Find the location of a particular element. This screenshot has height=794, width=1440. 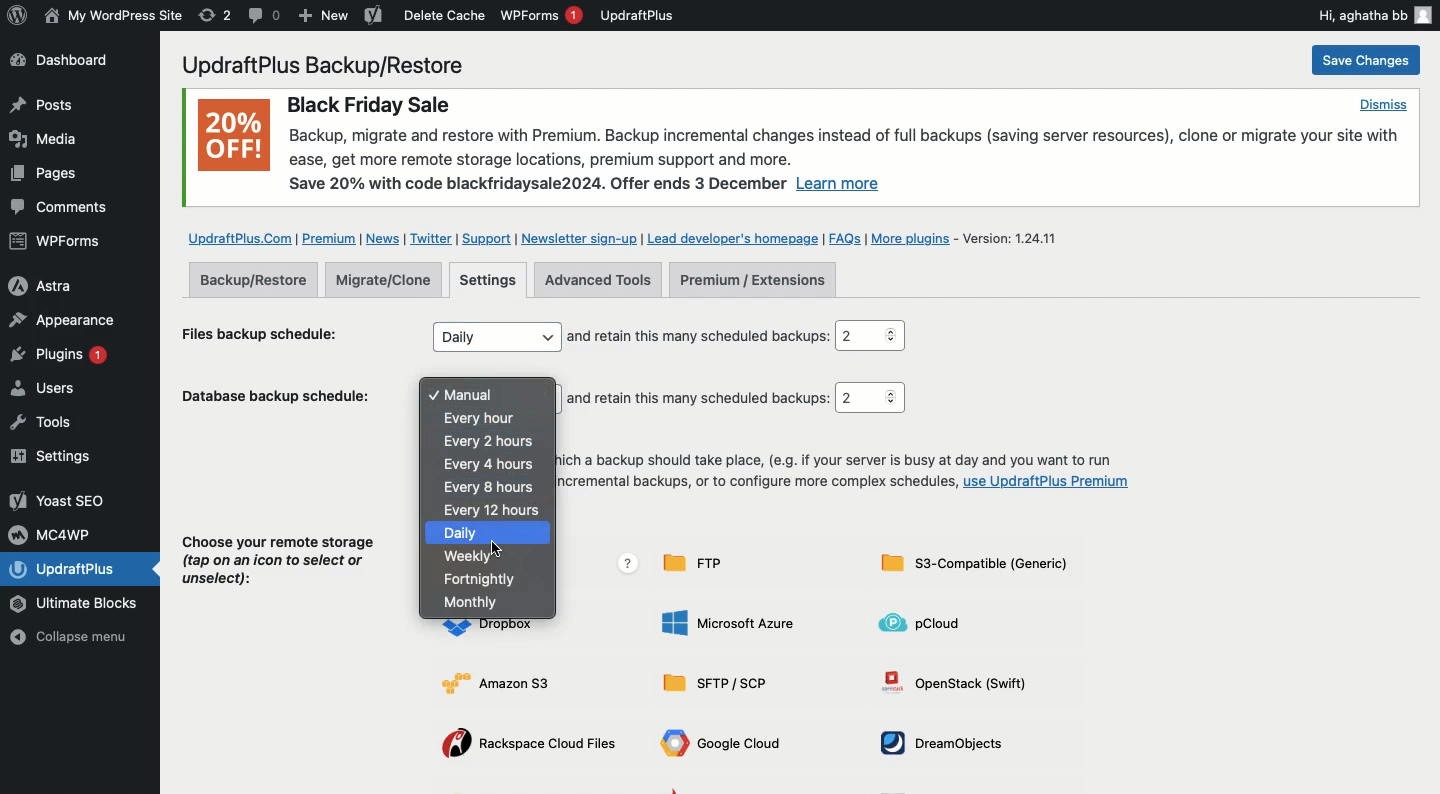

Every 8 hours is located at coordinates (493, 486).